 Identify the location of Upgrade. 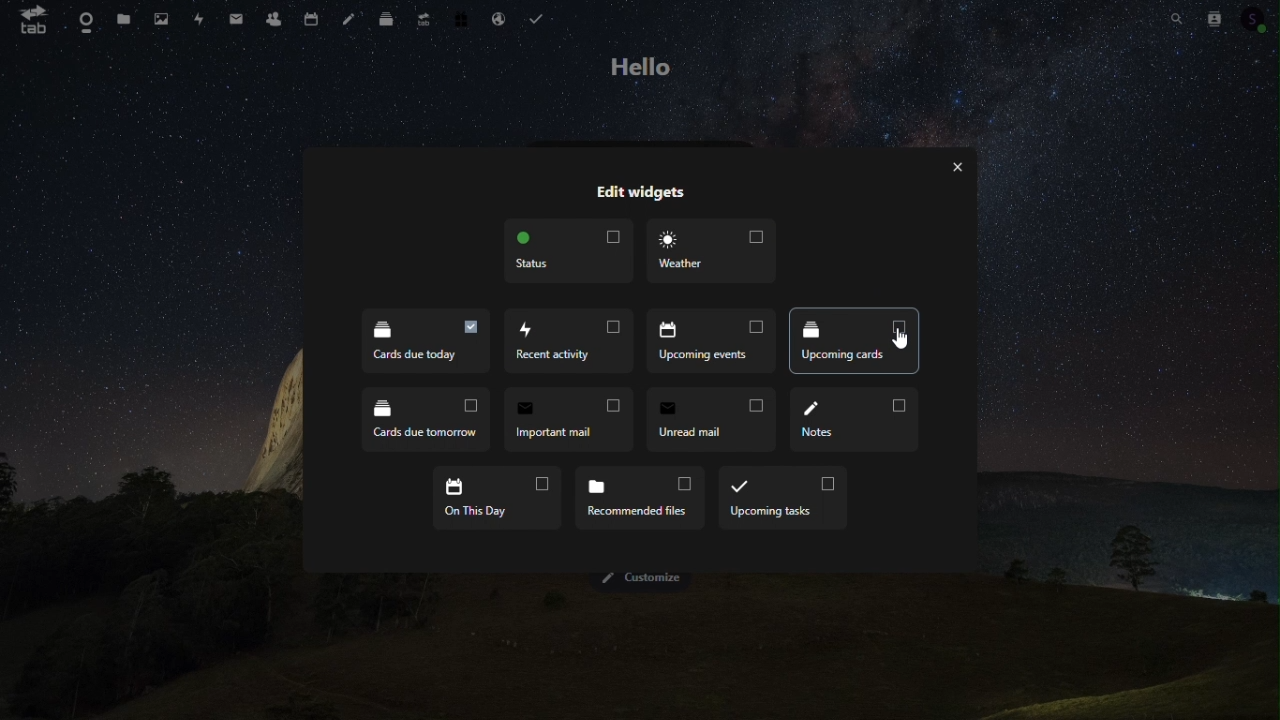
(425, 19).